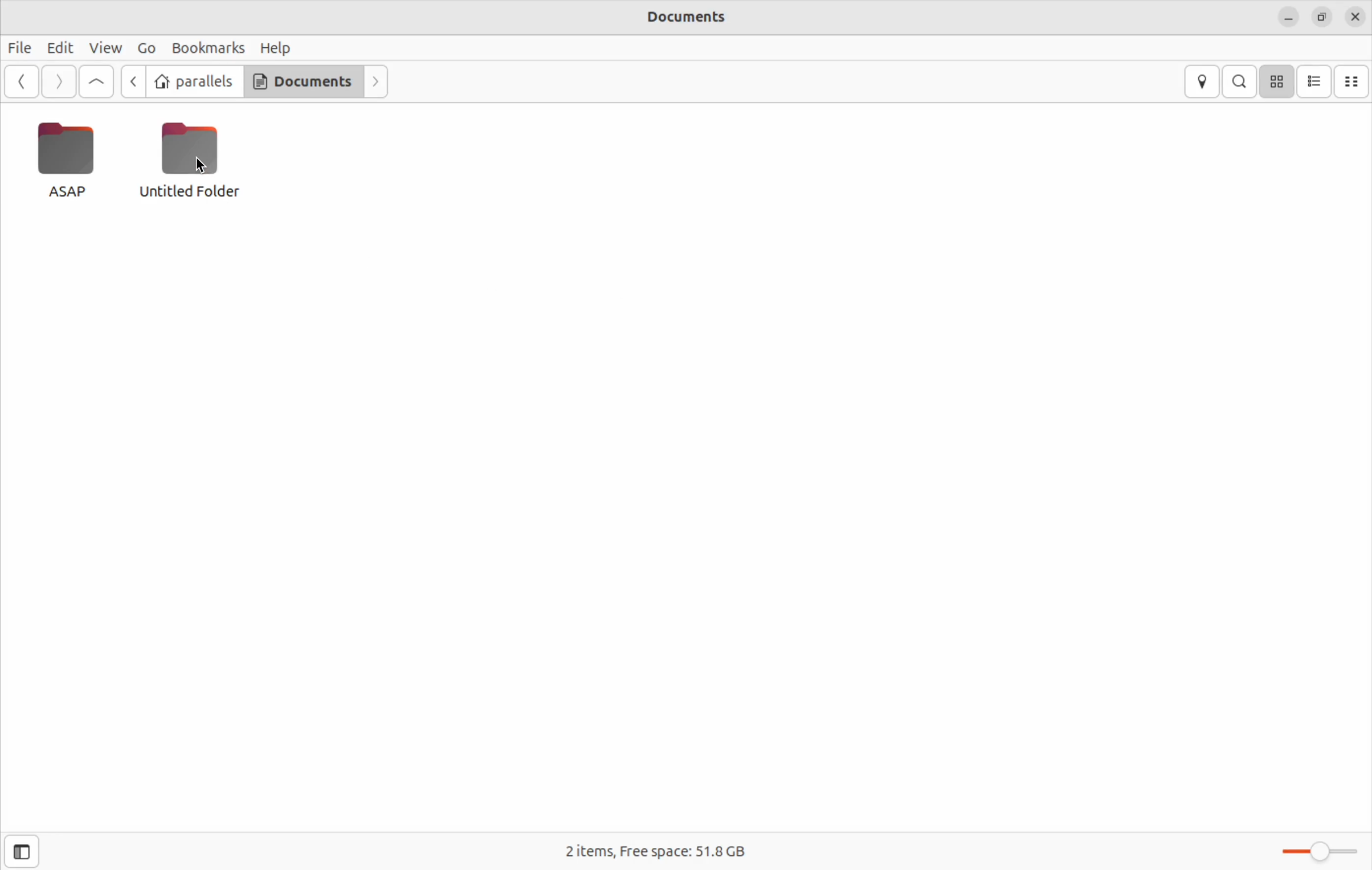  I want to click on list view, so click(1317, 80).